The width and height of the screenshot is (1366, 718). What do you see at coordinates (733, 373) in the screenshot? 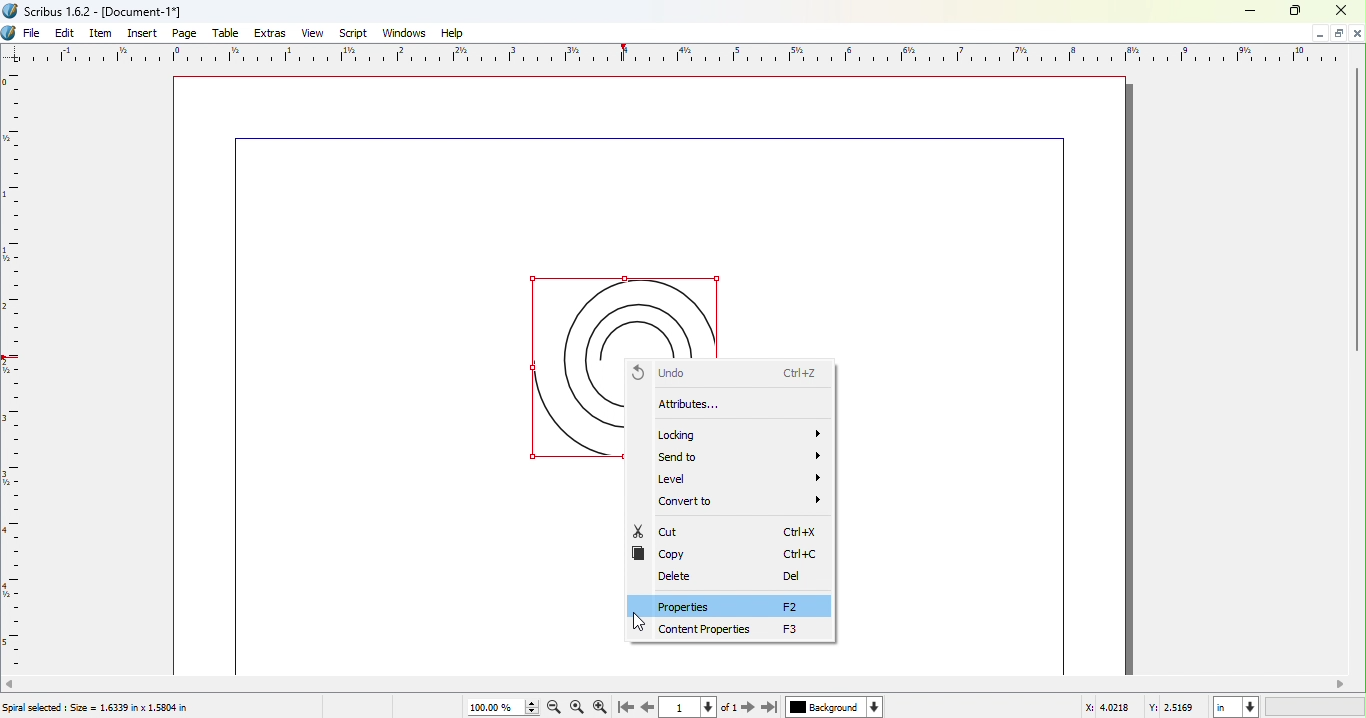
I see `Undo` at bounding box center [733, 373].